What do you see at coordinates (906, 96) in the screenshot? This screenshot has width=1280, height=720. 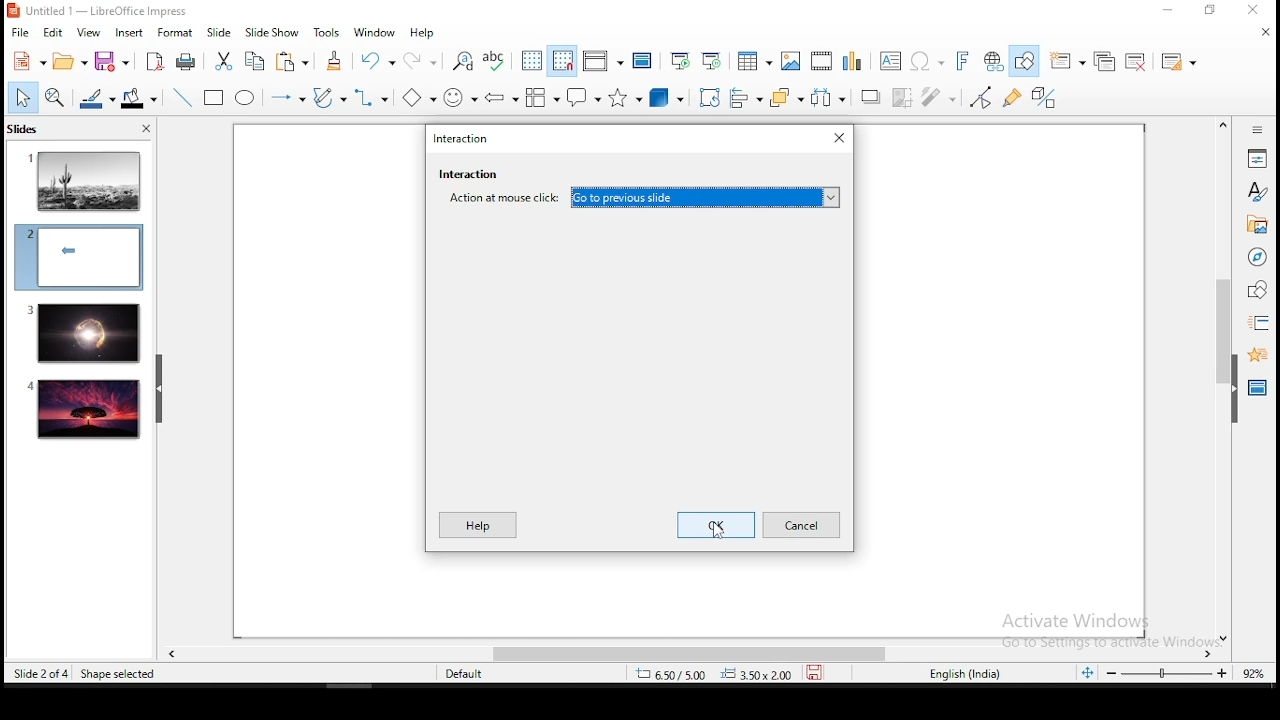 I see `crop image` at bounding box center [906, 96].